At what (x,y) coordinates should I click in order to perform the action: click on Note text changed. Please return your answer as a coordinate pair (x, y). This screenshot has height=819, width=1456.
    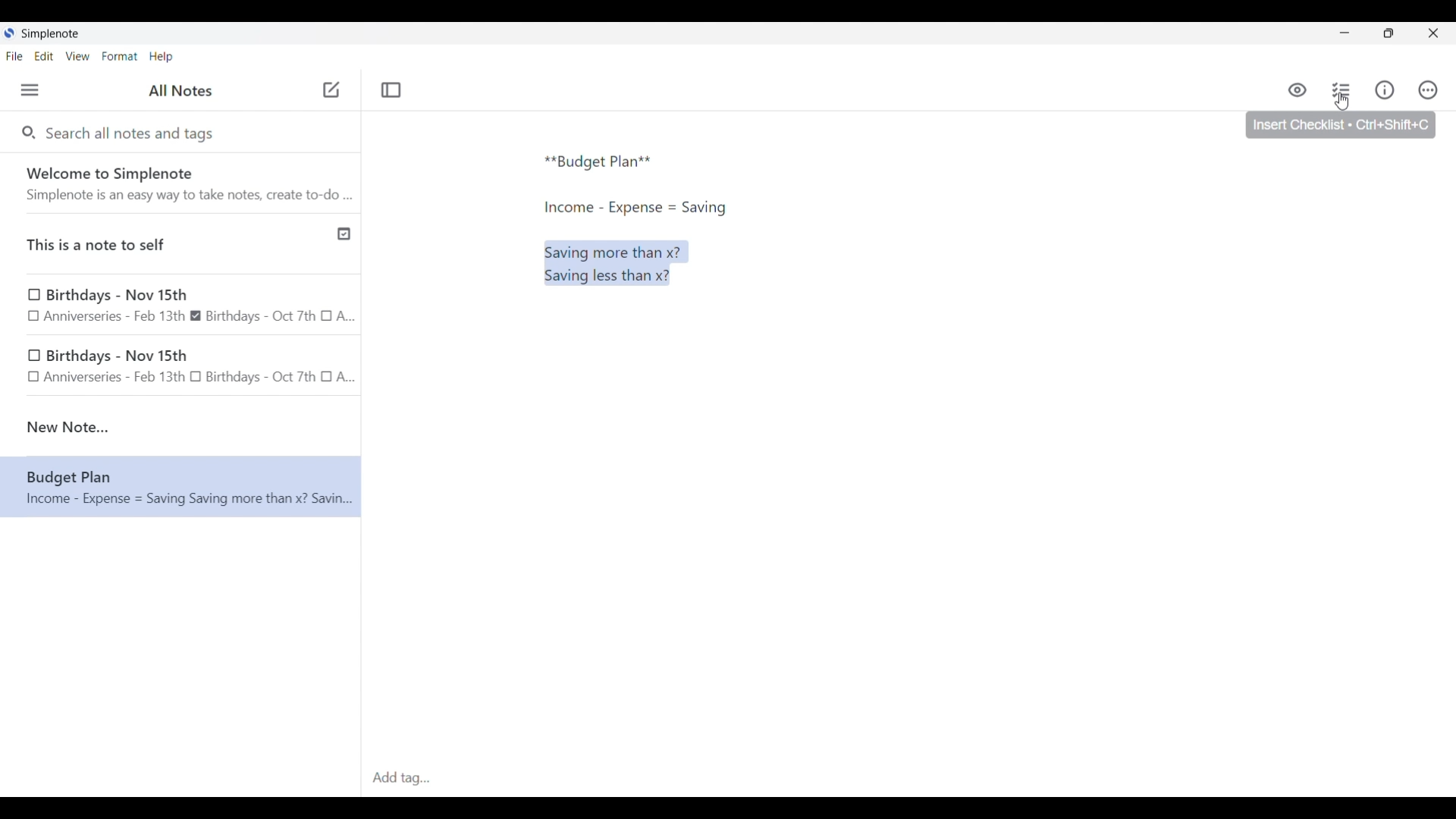
    Looking at the image, I should click on (180, 487).